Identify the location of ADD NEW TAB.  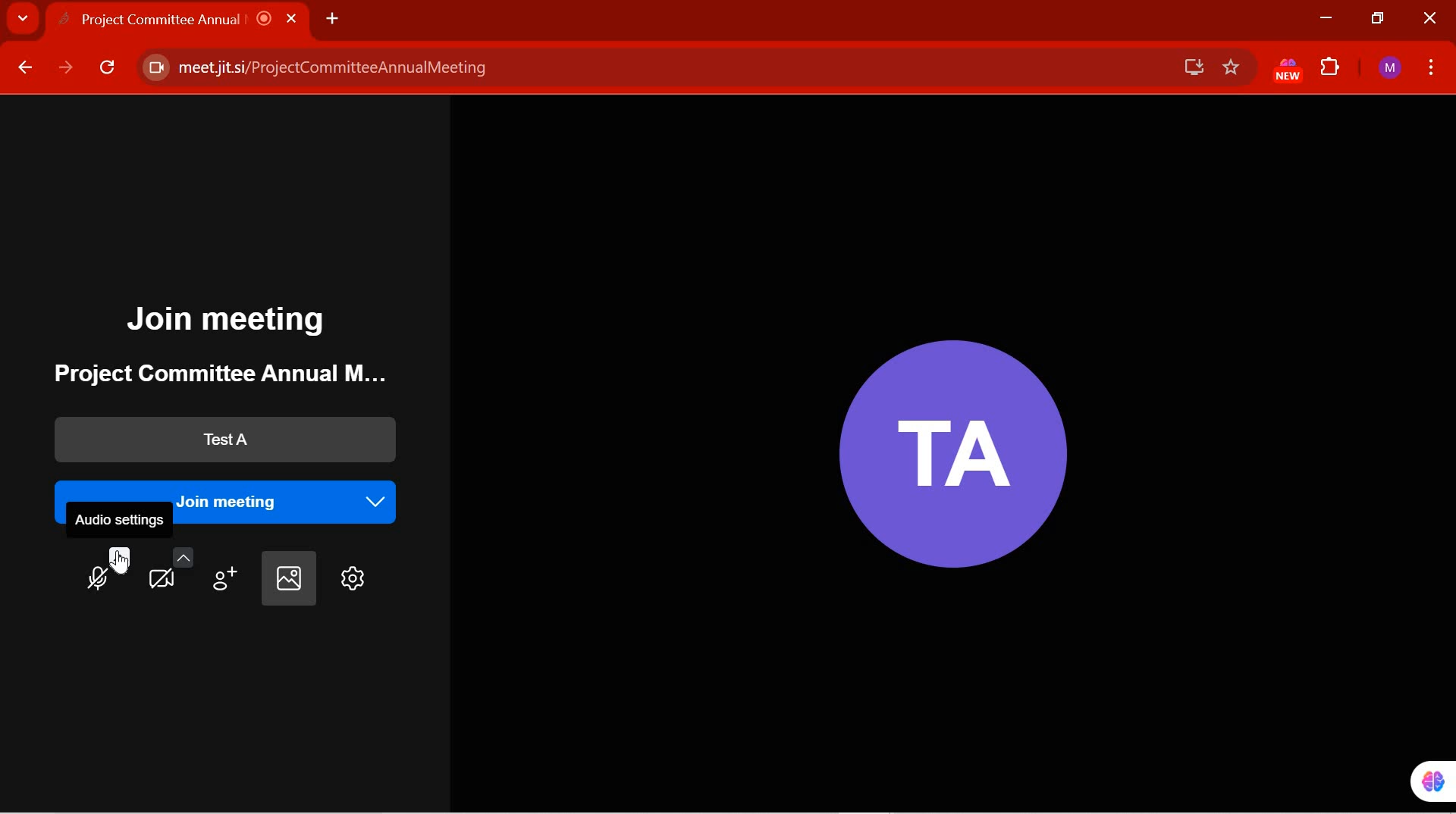
(332, 17).